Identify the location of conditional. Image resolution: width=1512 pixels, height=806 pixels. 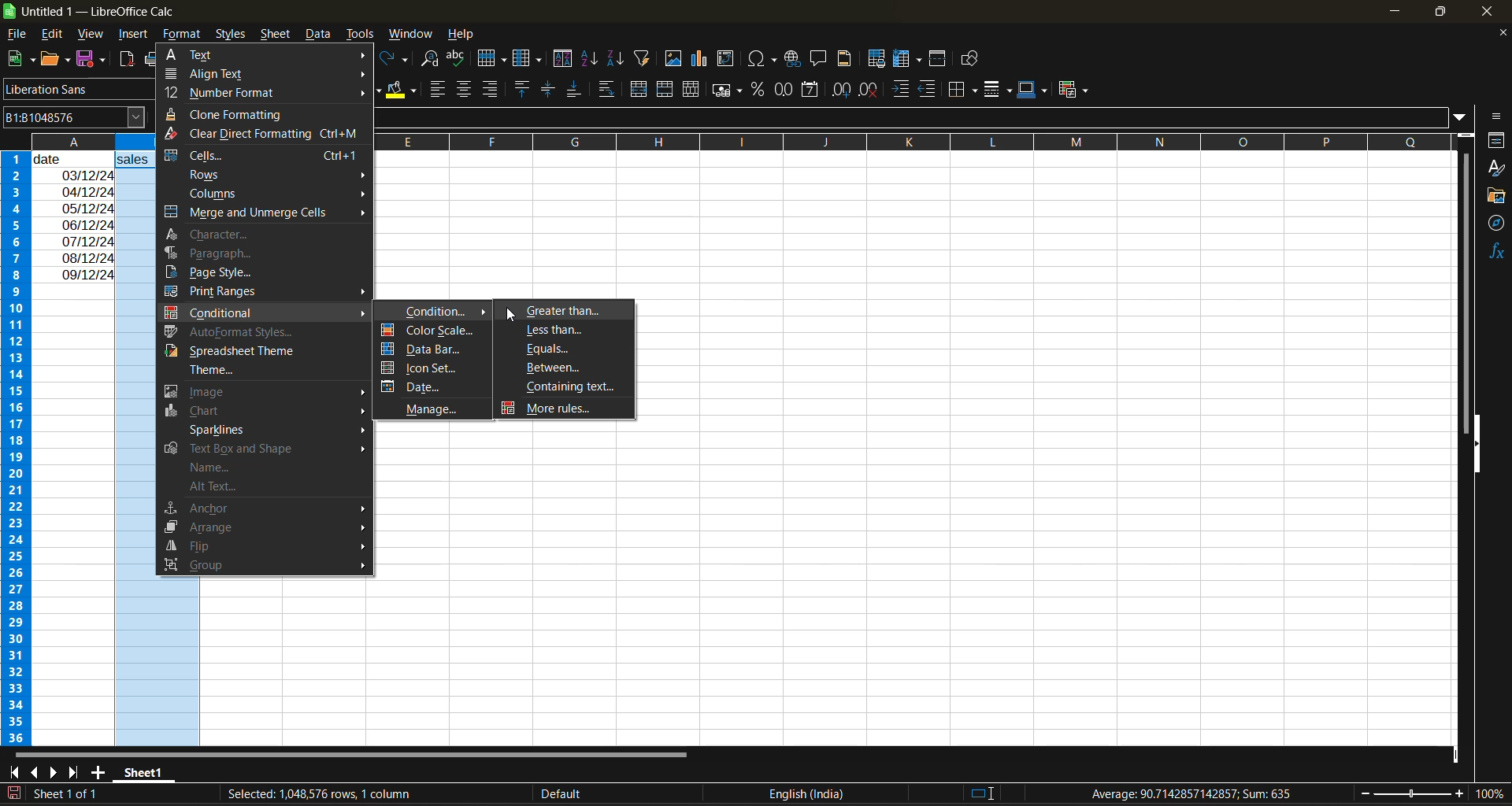
(1071, 91).